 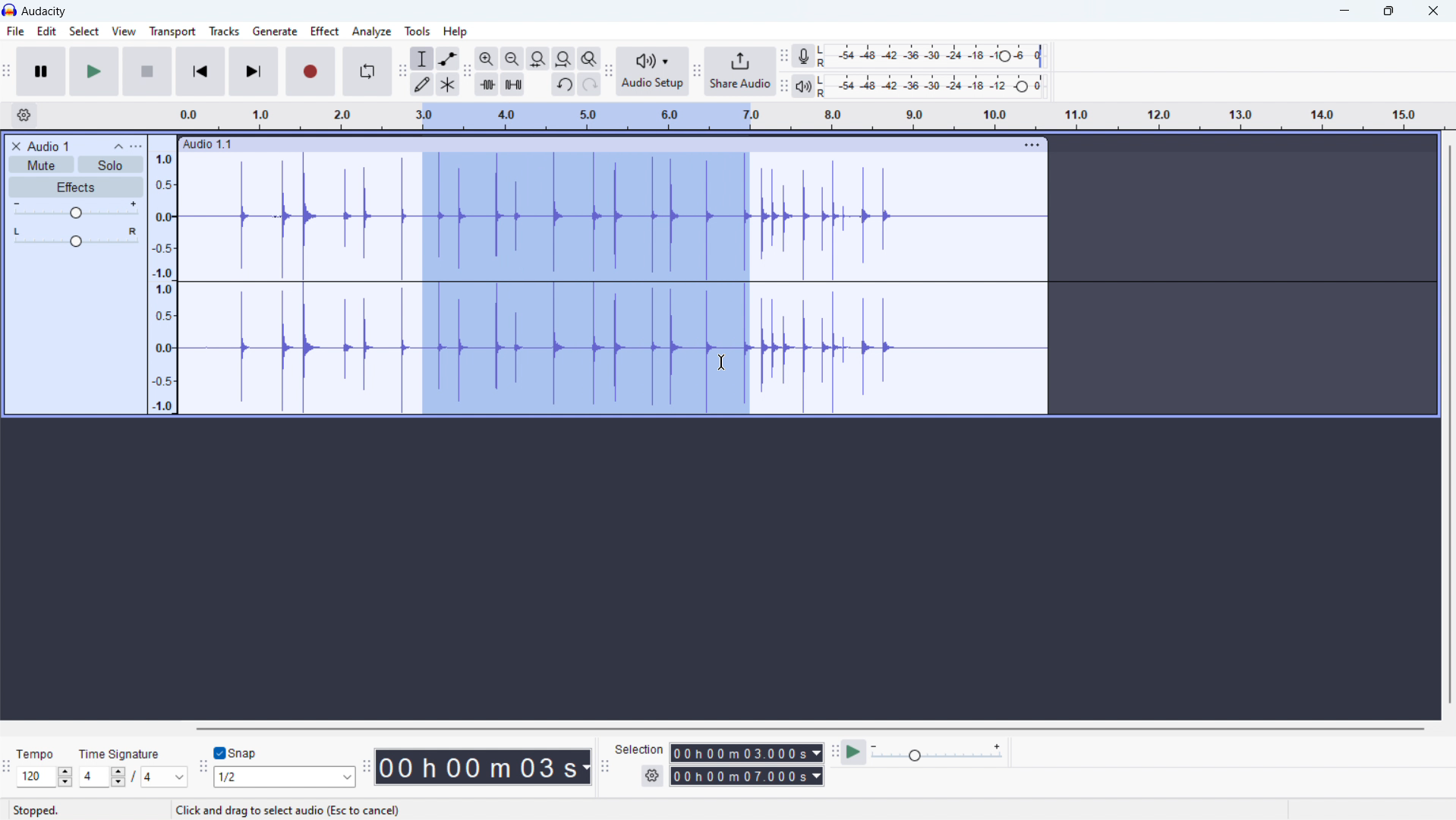 What do you see at coordinates (290, 810) in the screenshot?
I see `Click and drag to select audio (Esc to cancel)` at bounding box center [290, 810].